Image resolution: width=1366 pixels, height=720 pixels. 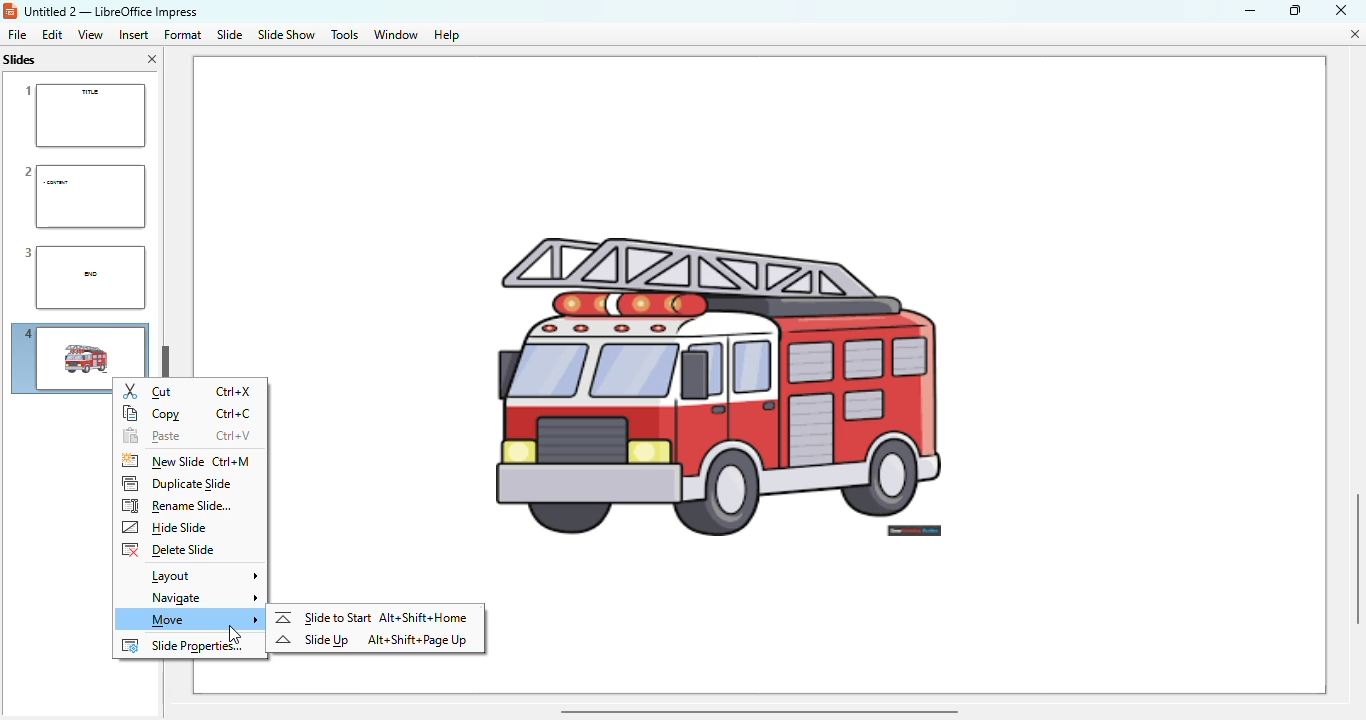 I want to click on window, so click(x=396, y=35).